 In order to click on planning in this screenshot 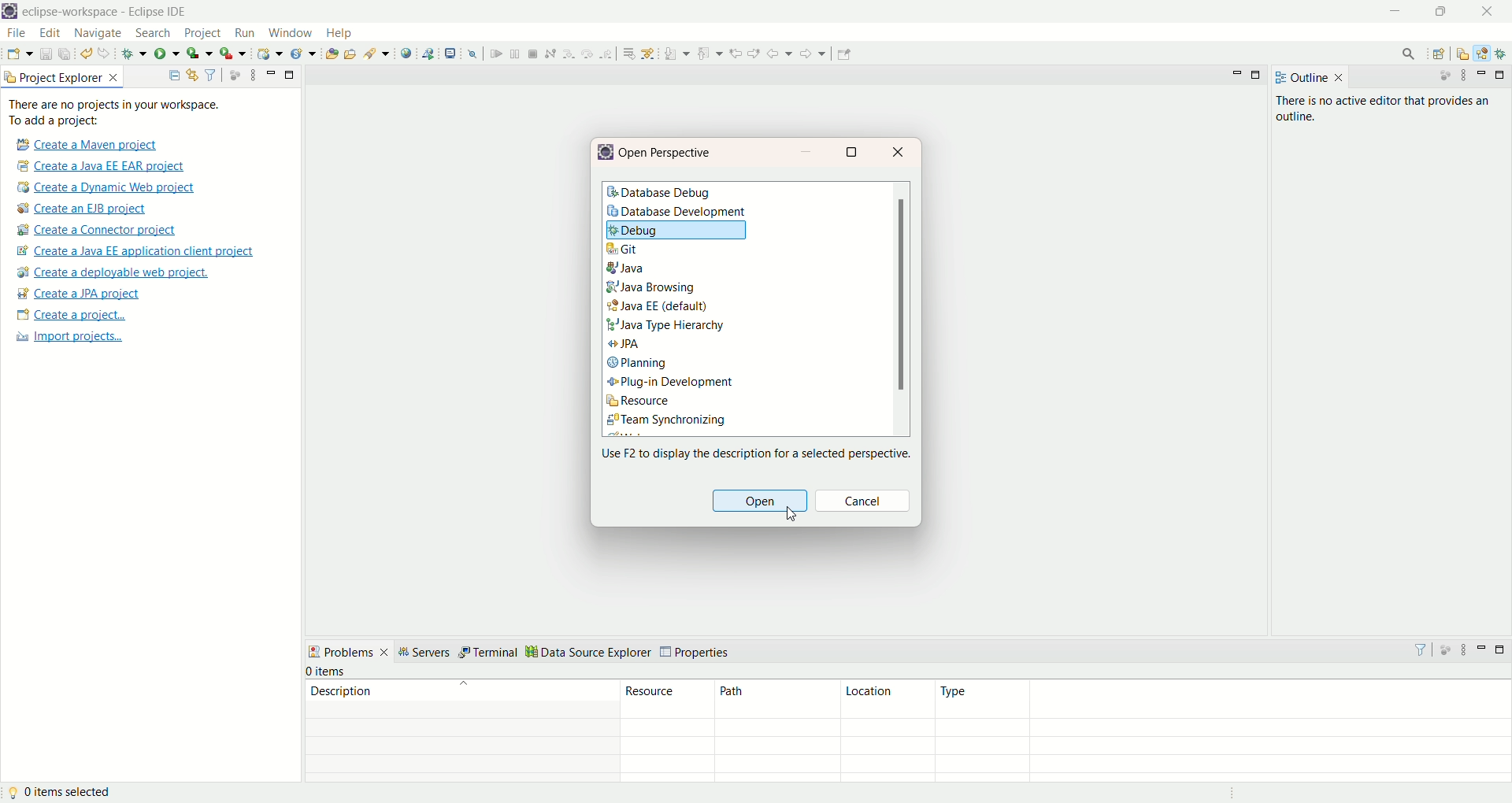, I will do `click(639, 364)`.